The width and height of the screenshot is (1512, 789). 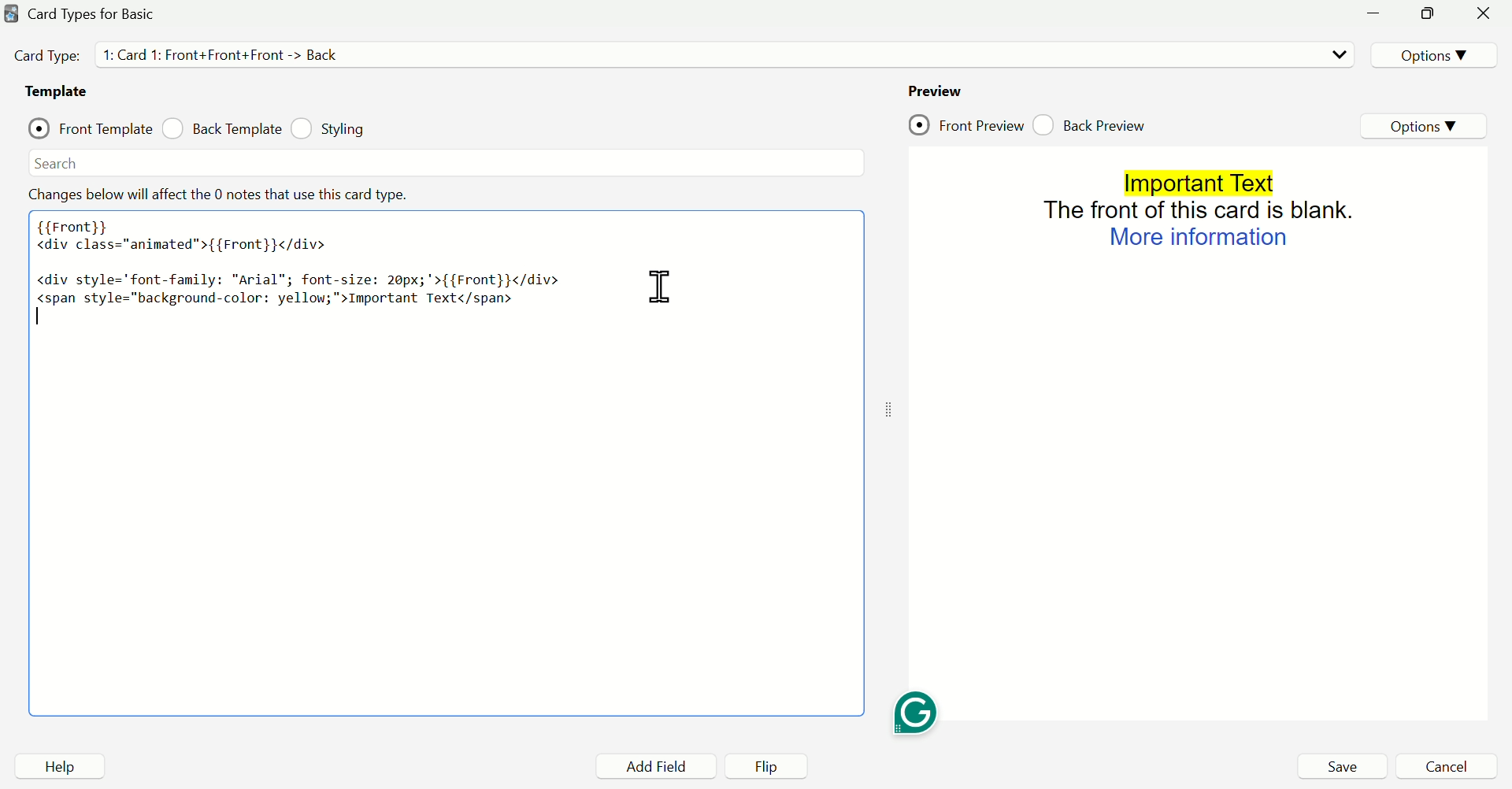 I want to click on Preview, so click(x=936, y=91).